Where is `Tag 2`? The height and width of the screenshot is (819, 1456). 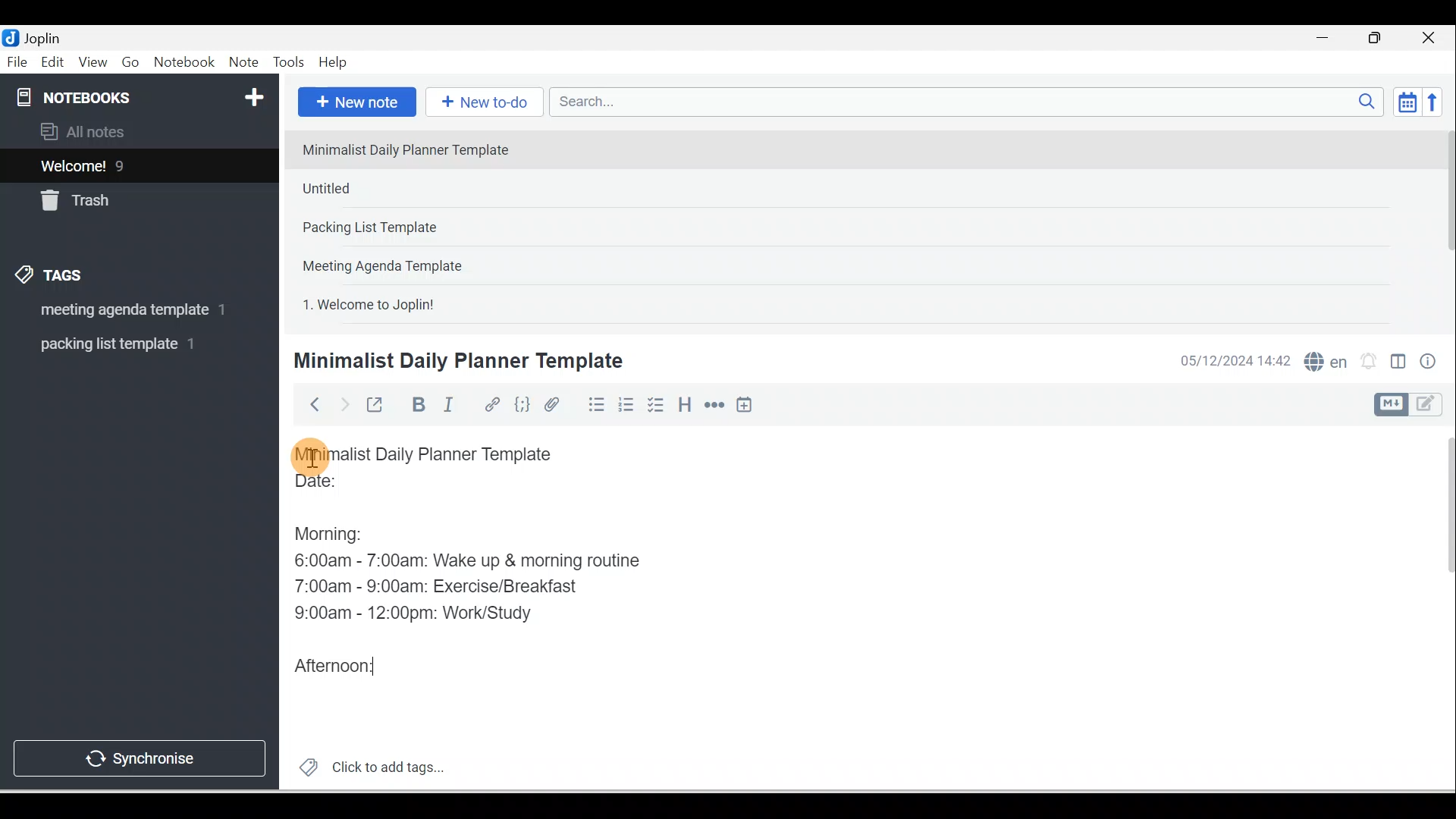
Tag 2 is located at coordinates (128, 344).